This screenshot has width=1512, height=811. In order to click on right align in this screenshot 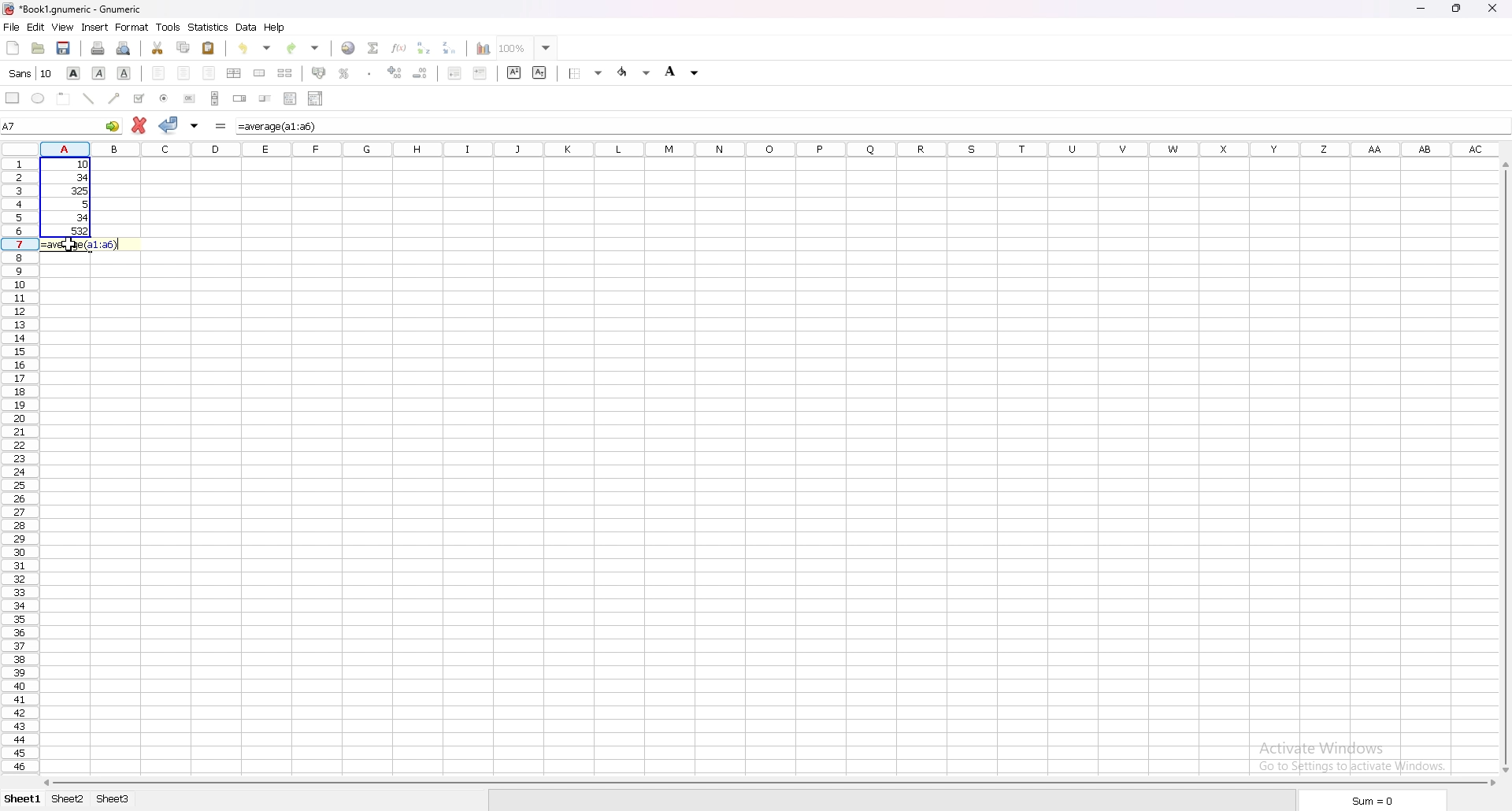, I will do `click(209, 72)`.